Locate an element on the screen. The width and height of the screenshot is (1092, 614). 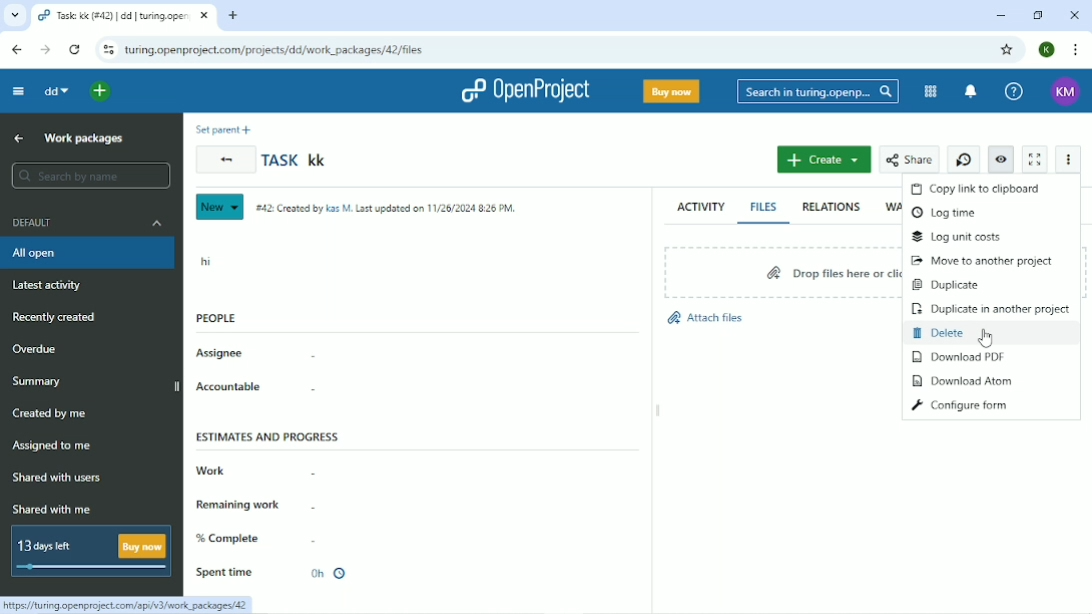
Latest activity is located at coordinates (46, 286).